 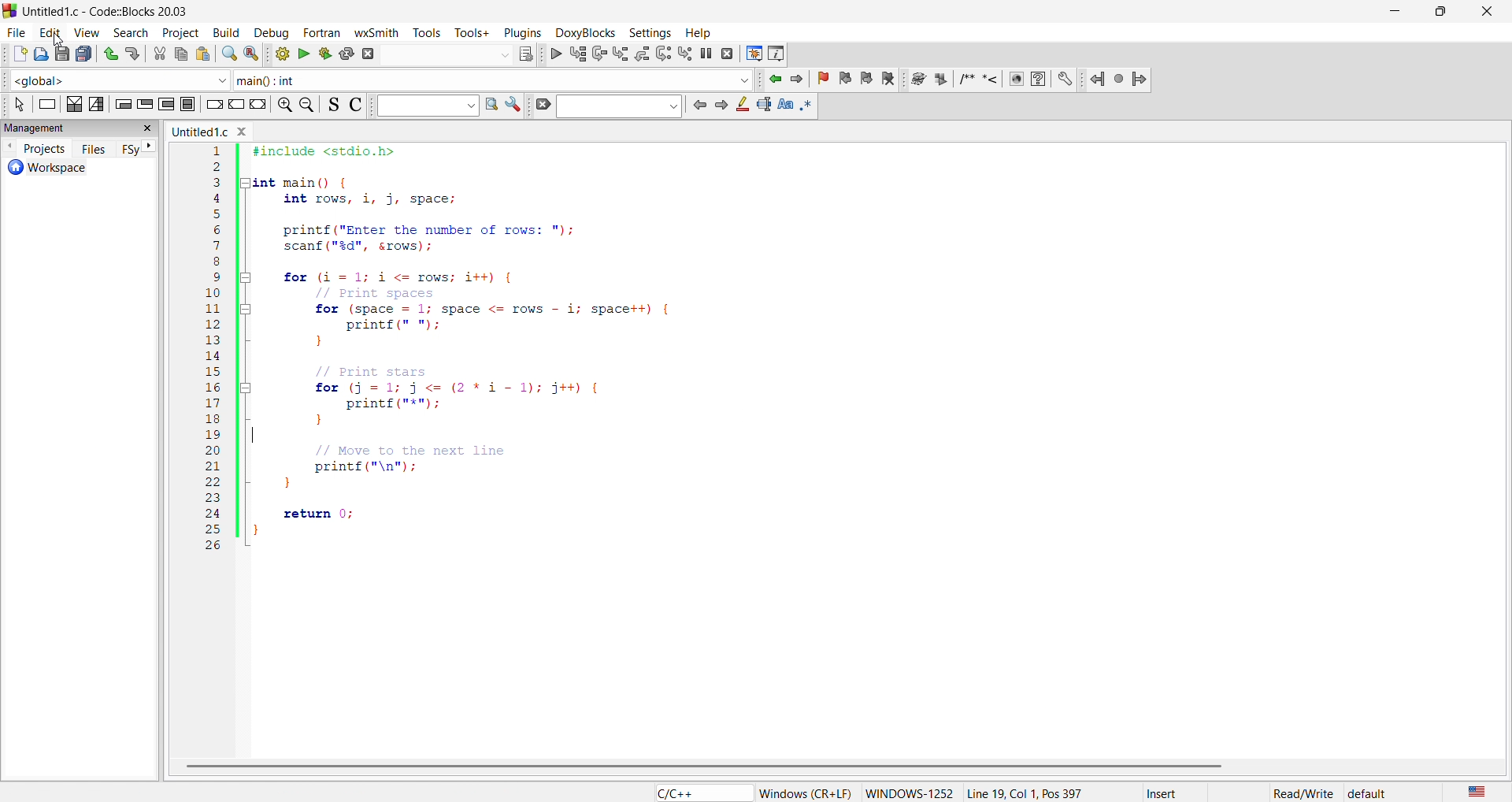 What do you see at coordinates (347, 53) in the screenshot?
I see `rebuild` at bounding box center [347, 53].